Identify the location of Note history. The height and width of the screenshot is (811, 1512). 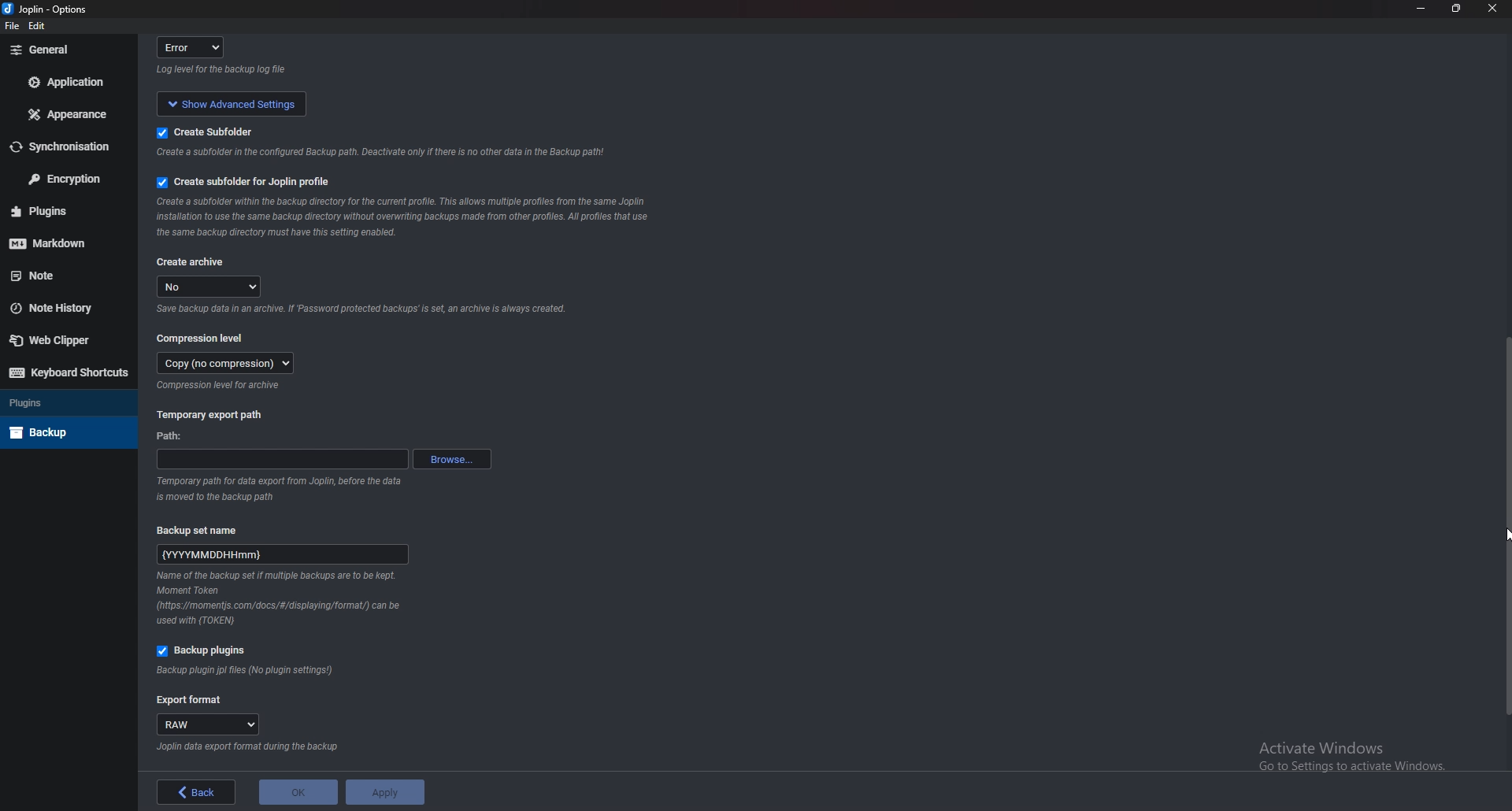
(61, 308).